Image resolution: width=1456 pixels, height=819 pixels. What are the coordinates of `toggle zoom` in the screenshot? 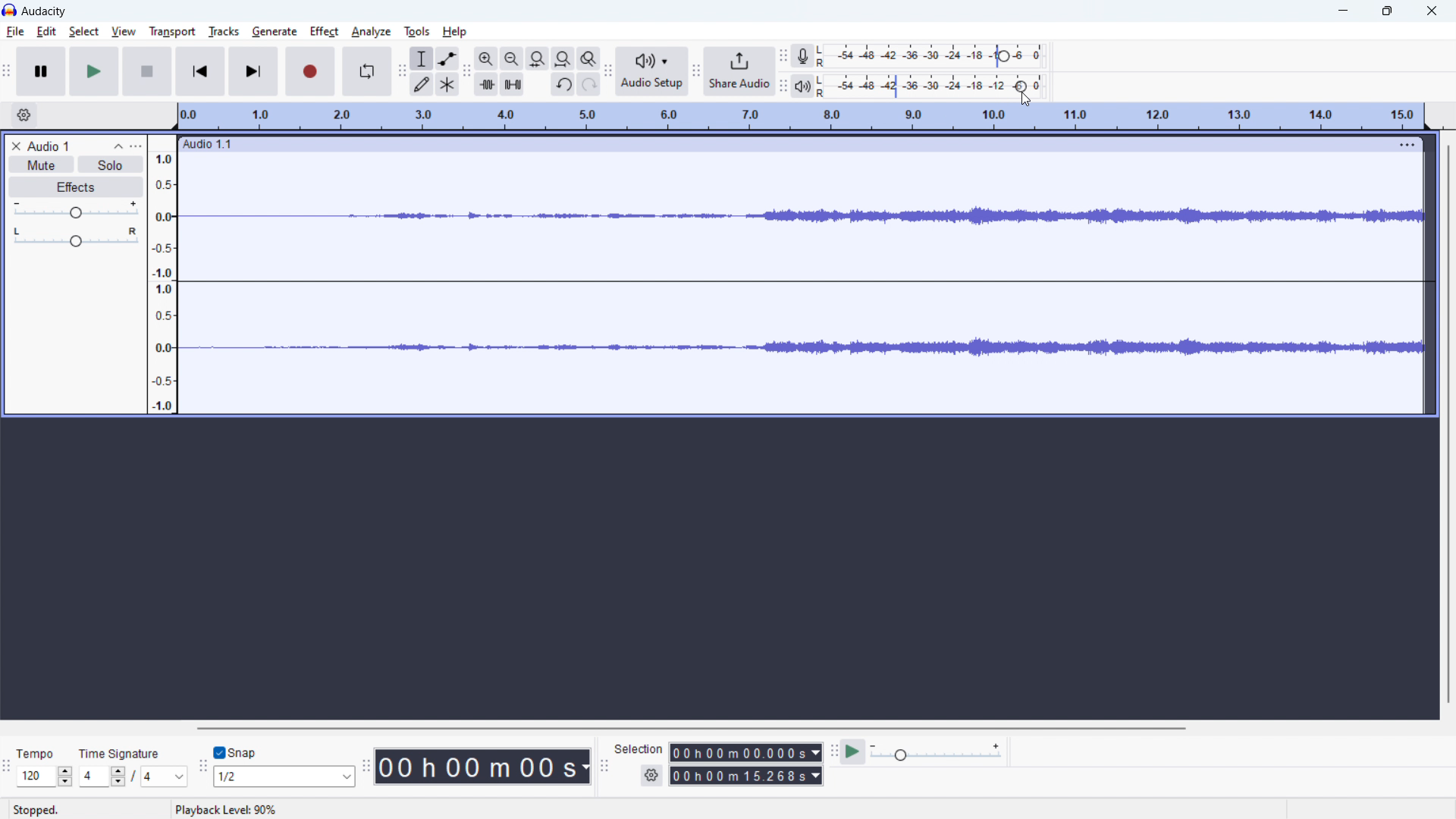 It's located at (588, 58).